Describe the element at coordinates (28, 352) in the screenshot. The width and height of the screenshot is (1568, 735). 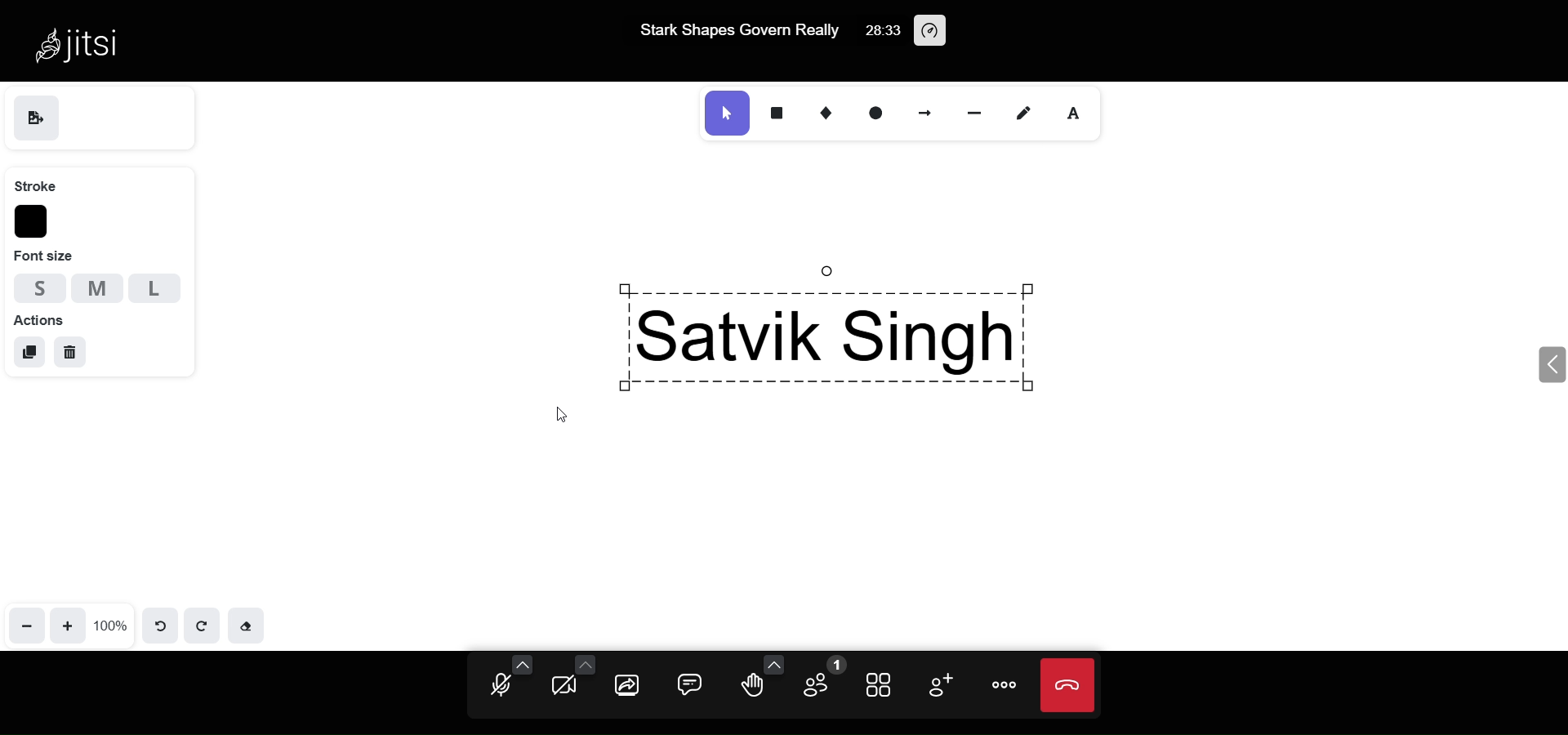
I see `duplicate` at that location.